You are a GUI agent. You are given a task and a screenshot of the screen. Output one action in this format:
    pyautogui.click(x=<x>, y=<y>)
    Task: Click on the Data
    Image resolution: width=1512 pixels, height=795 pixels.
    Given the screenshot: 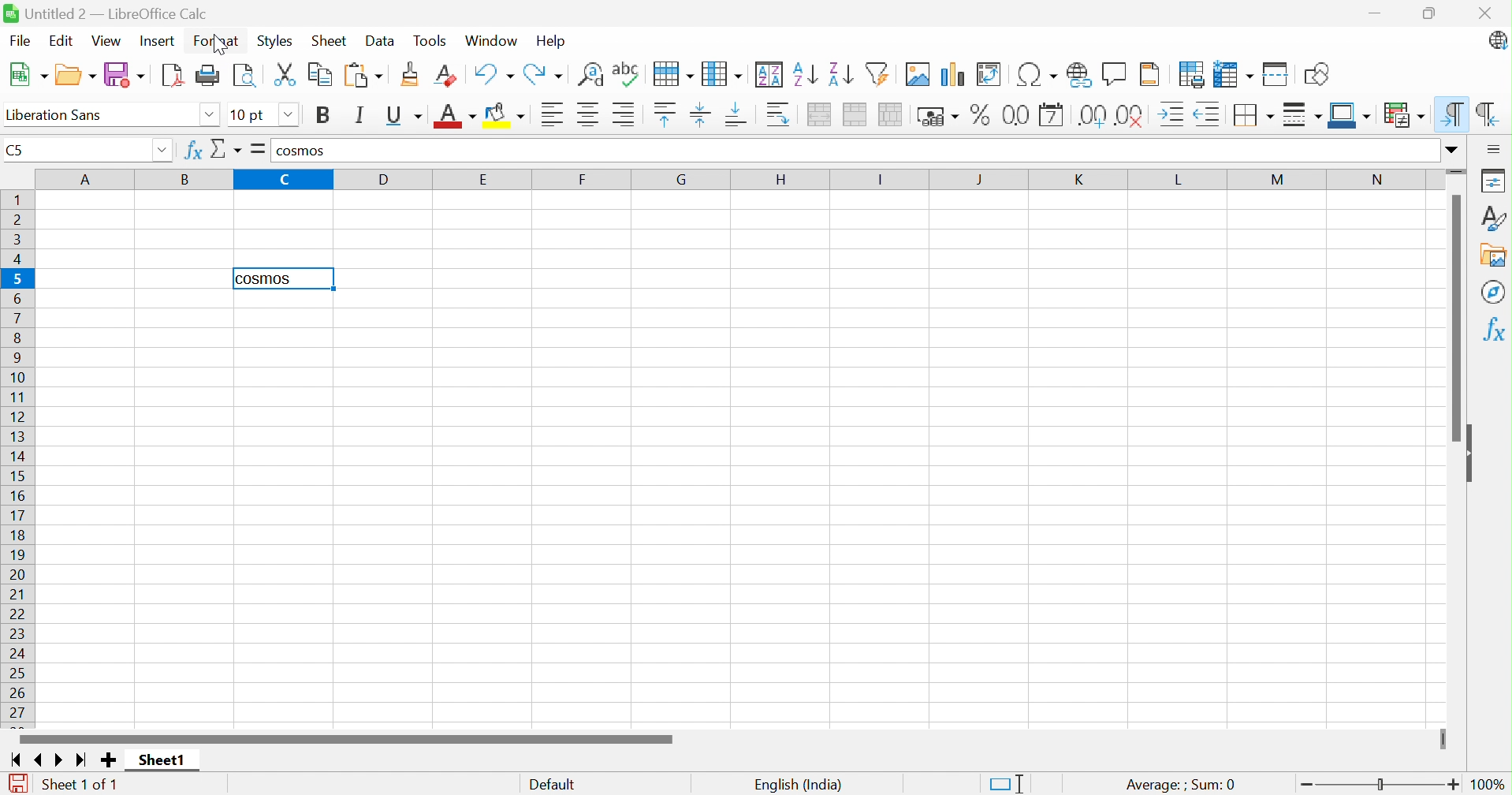 What is the action you would take?
    pyautogui.click(x=379, y=41)
    